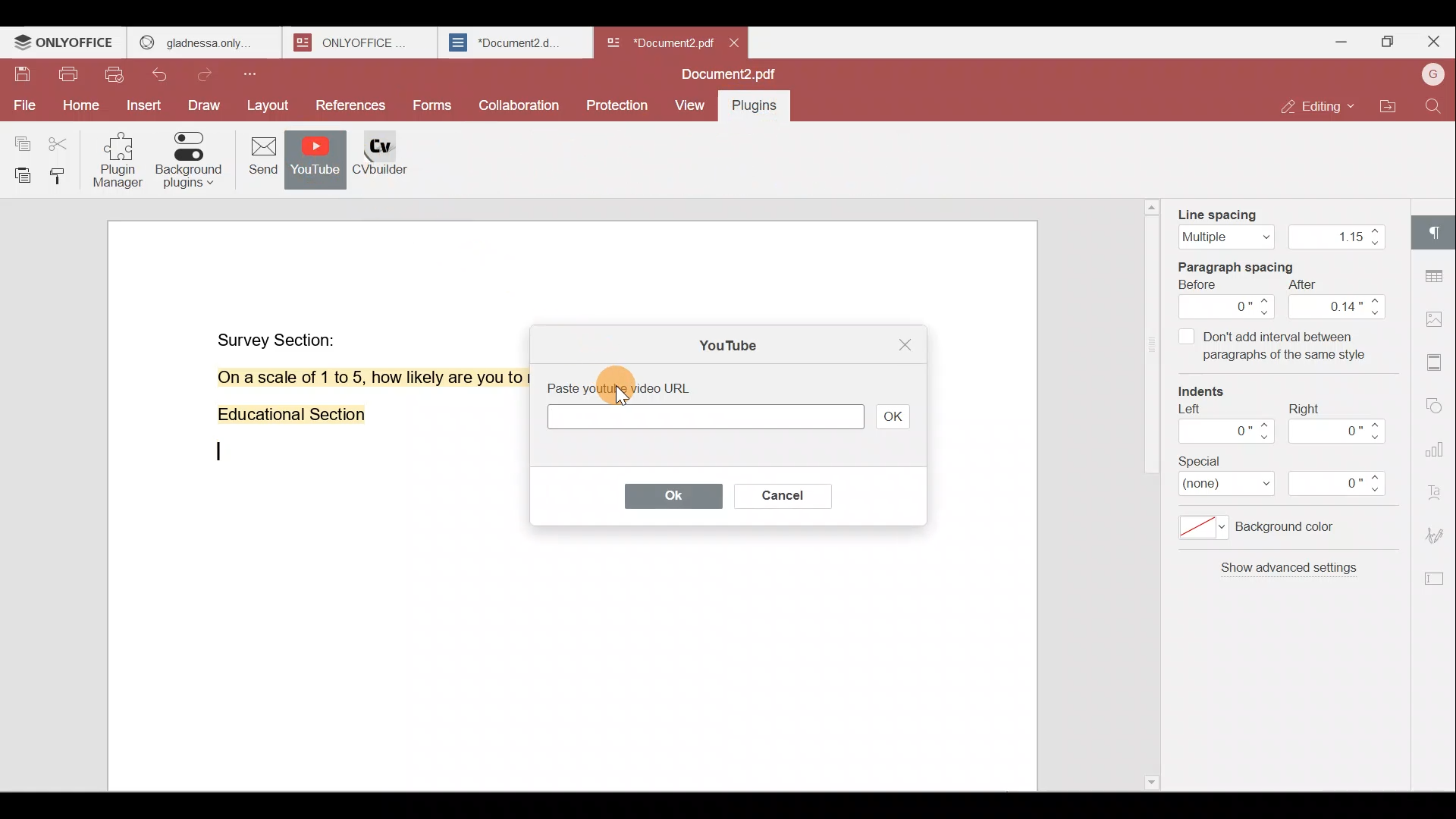 Image resolution: width=1456 pixels, height=819 pixels. What do you see at coordinates (620, 101) in the screenshot?
I see `Protection` at bounding box center [620, 101].